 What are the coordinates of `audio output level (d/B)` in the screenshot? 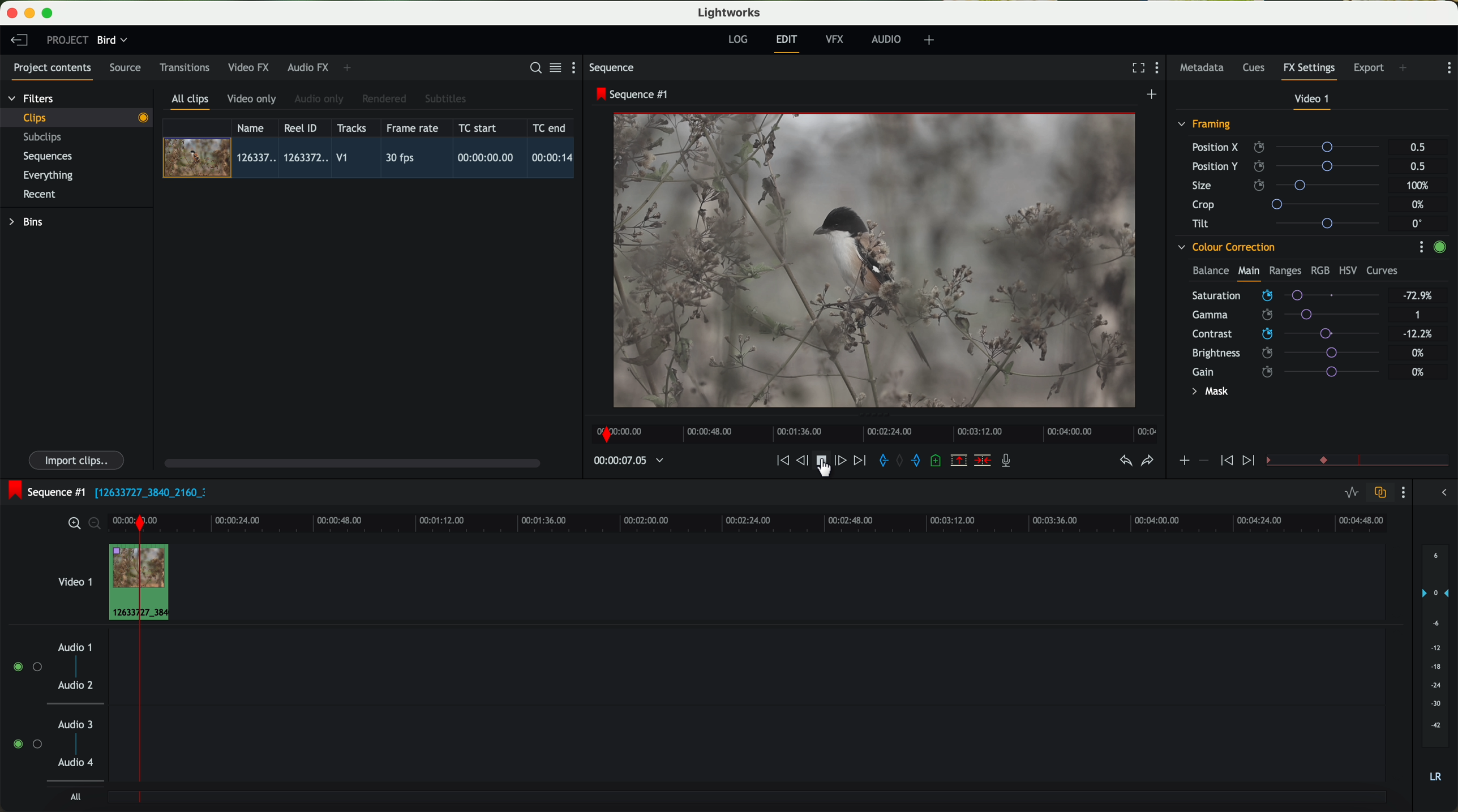 It's located at (1436, 667).